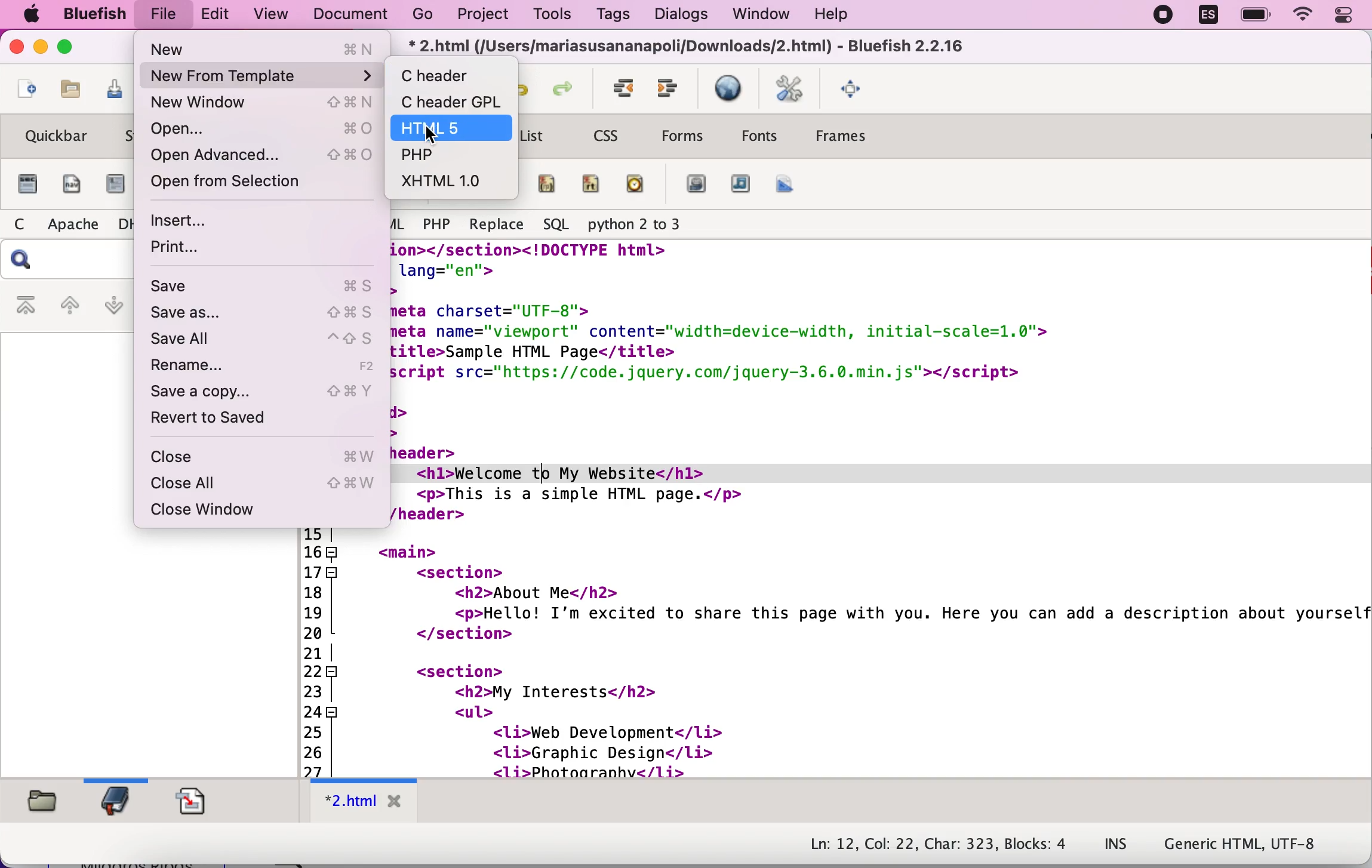  I want to click on document, so click(348, 14).